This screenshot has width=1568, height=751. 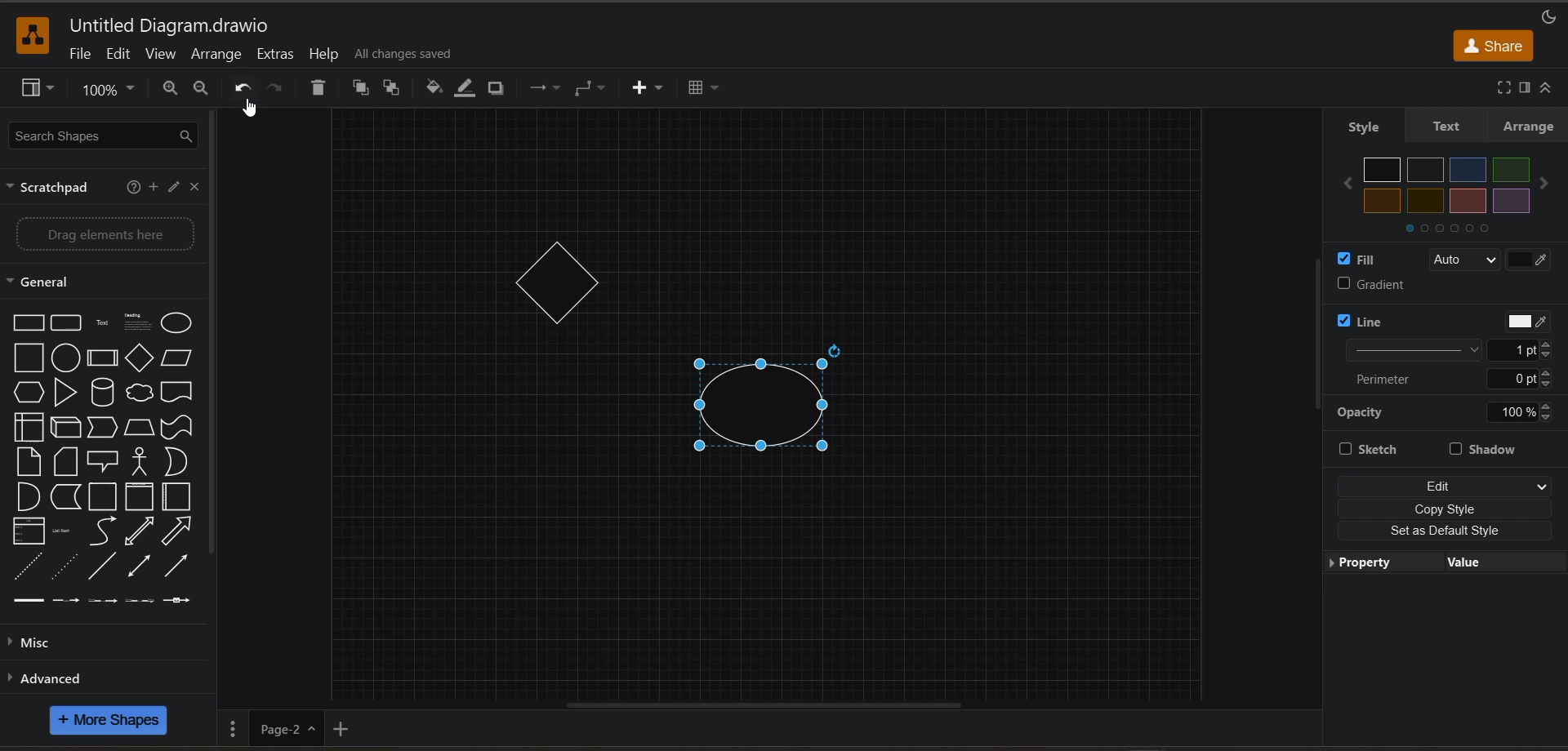 What do you see at coordinates (1349, 183) in the screenshot?
I see `previous` at bounding box center [1349, 183].